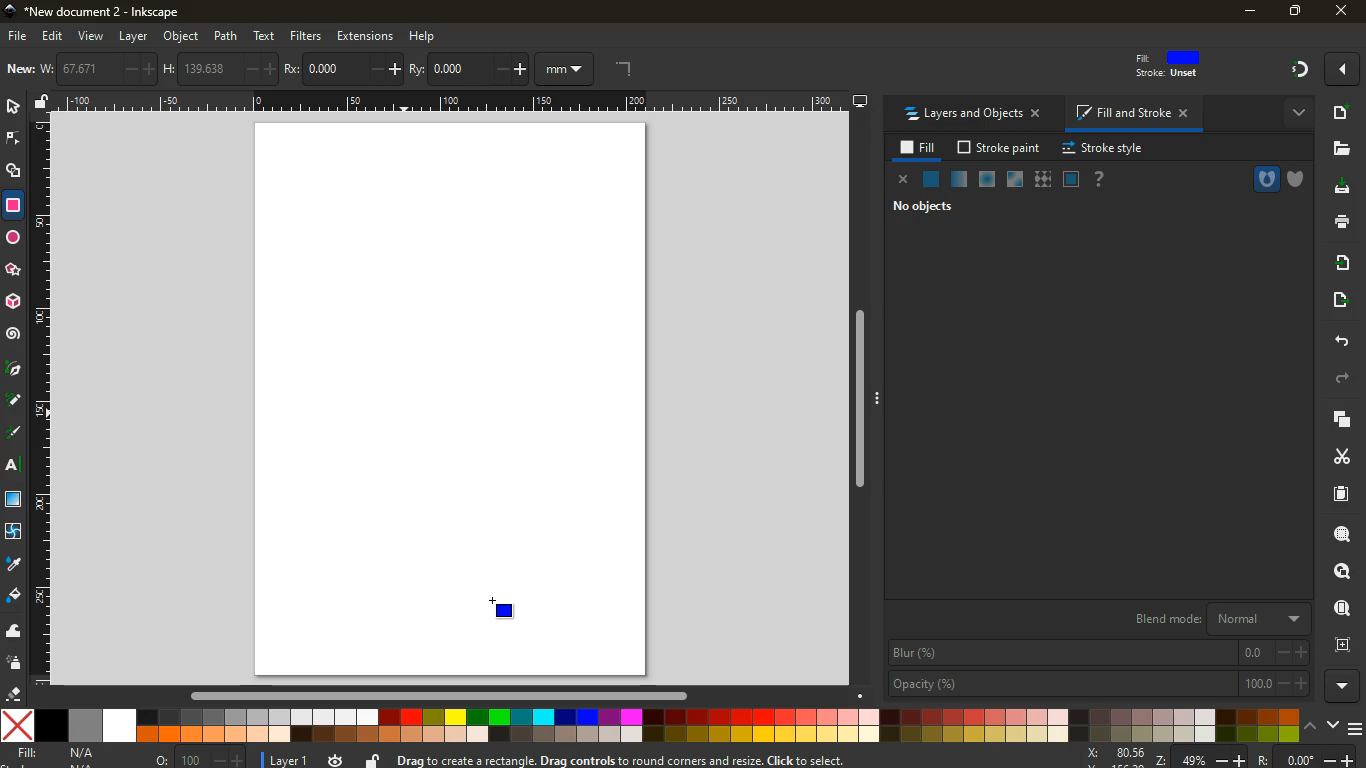 The height and width of the screenshot is (768, 1366). I want to click on Vertical Margin, so click(459, 102).